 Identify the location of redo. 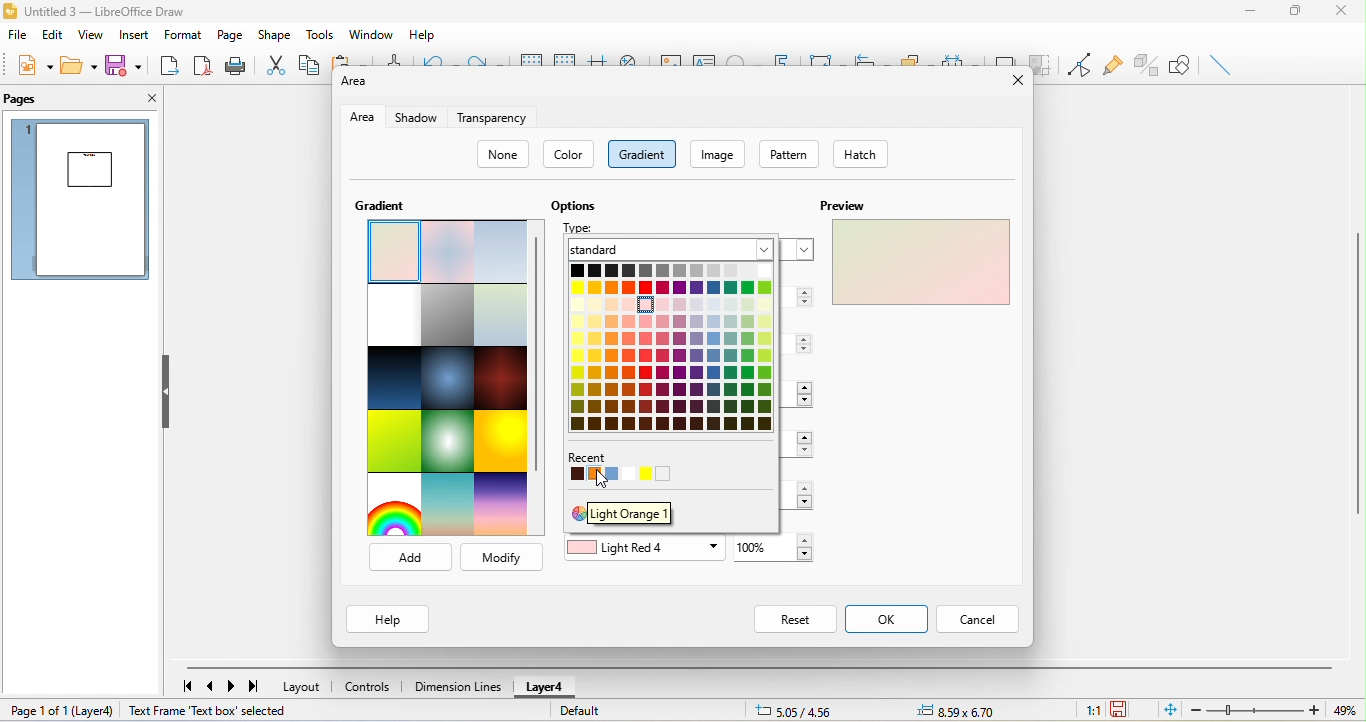
(486, 58).